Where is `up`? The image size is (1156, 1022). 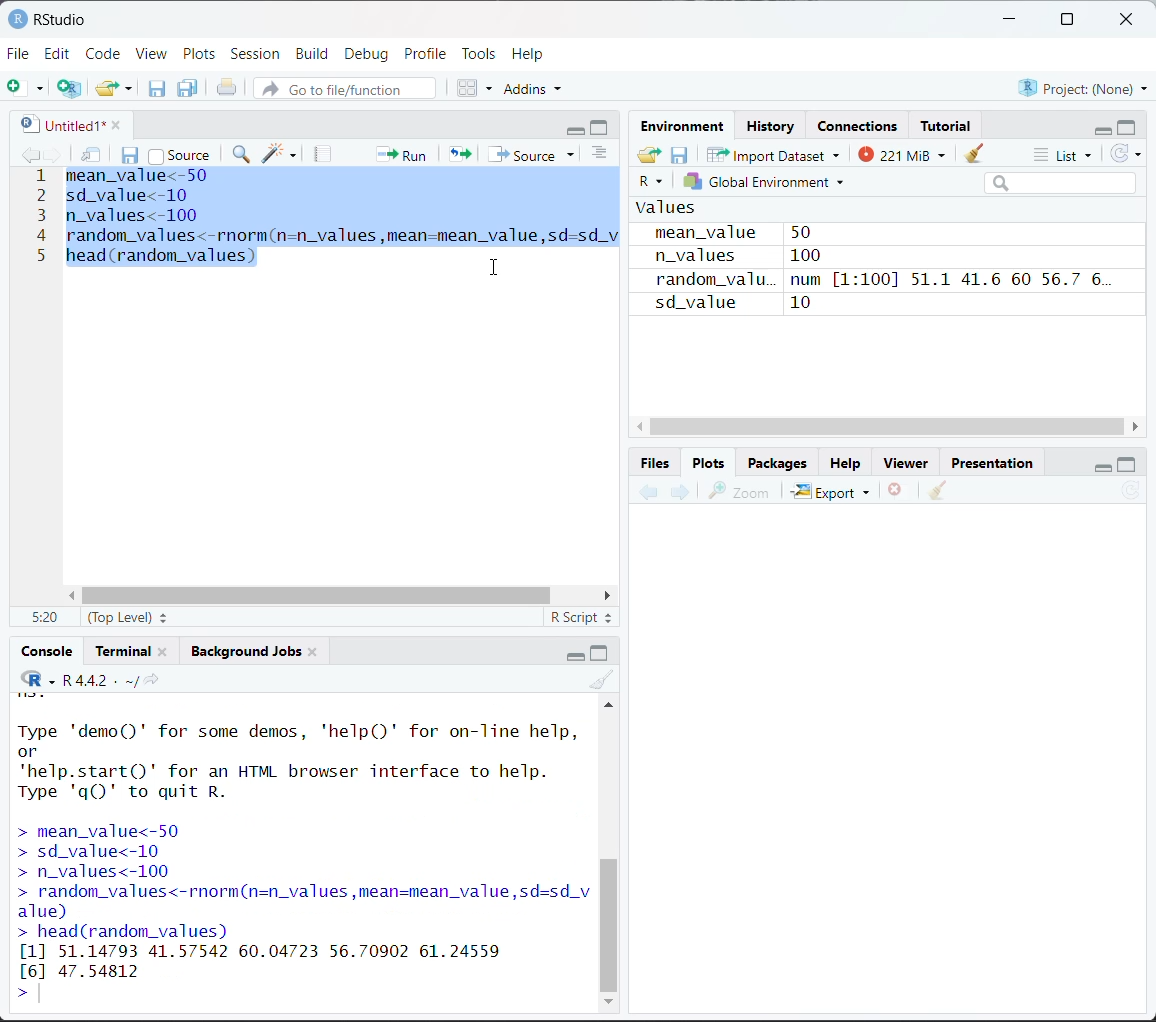 up is located at coordinates (607, 703).